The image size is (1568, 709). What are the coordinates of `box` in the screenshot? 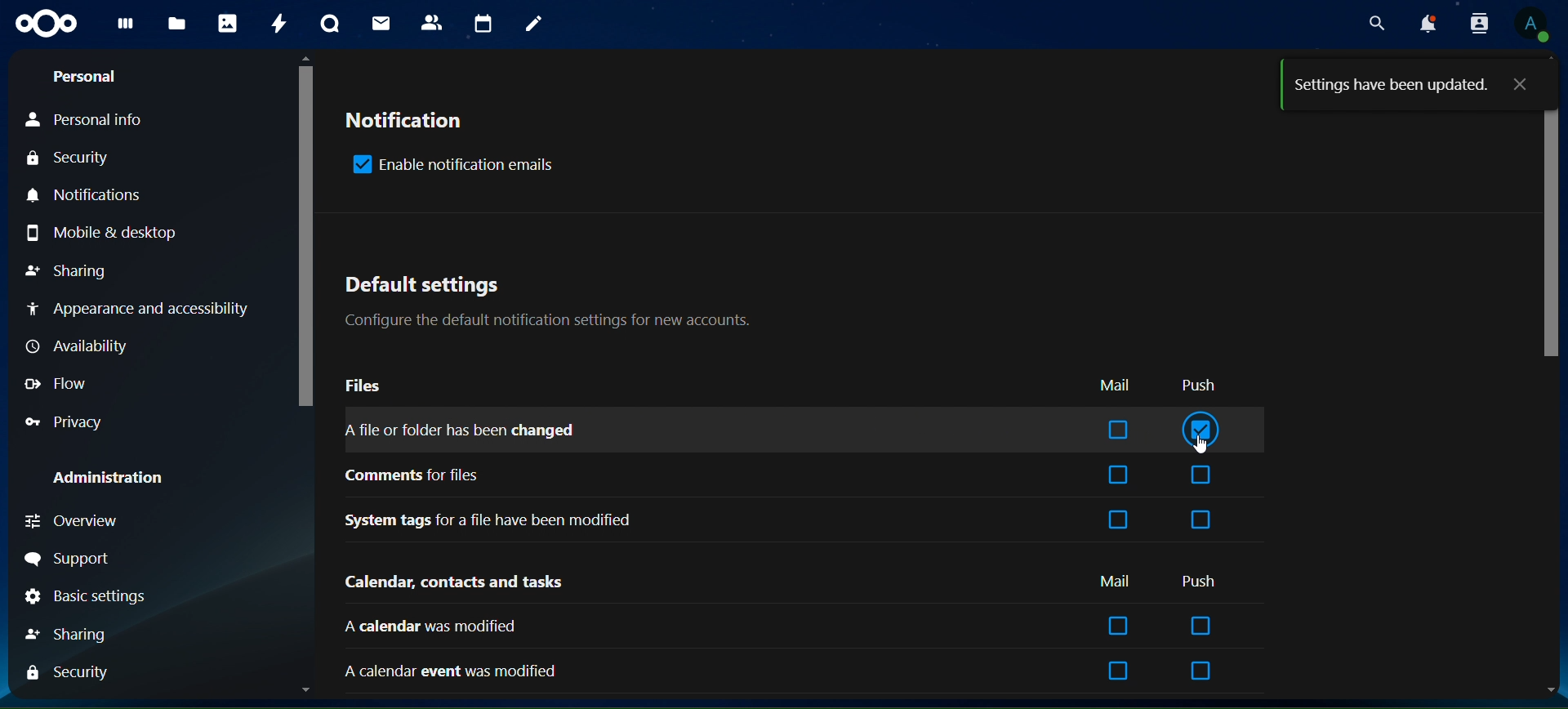 It's located at (1120, 520).